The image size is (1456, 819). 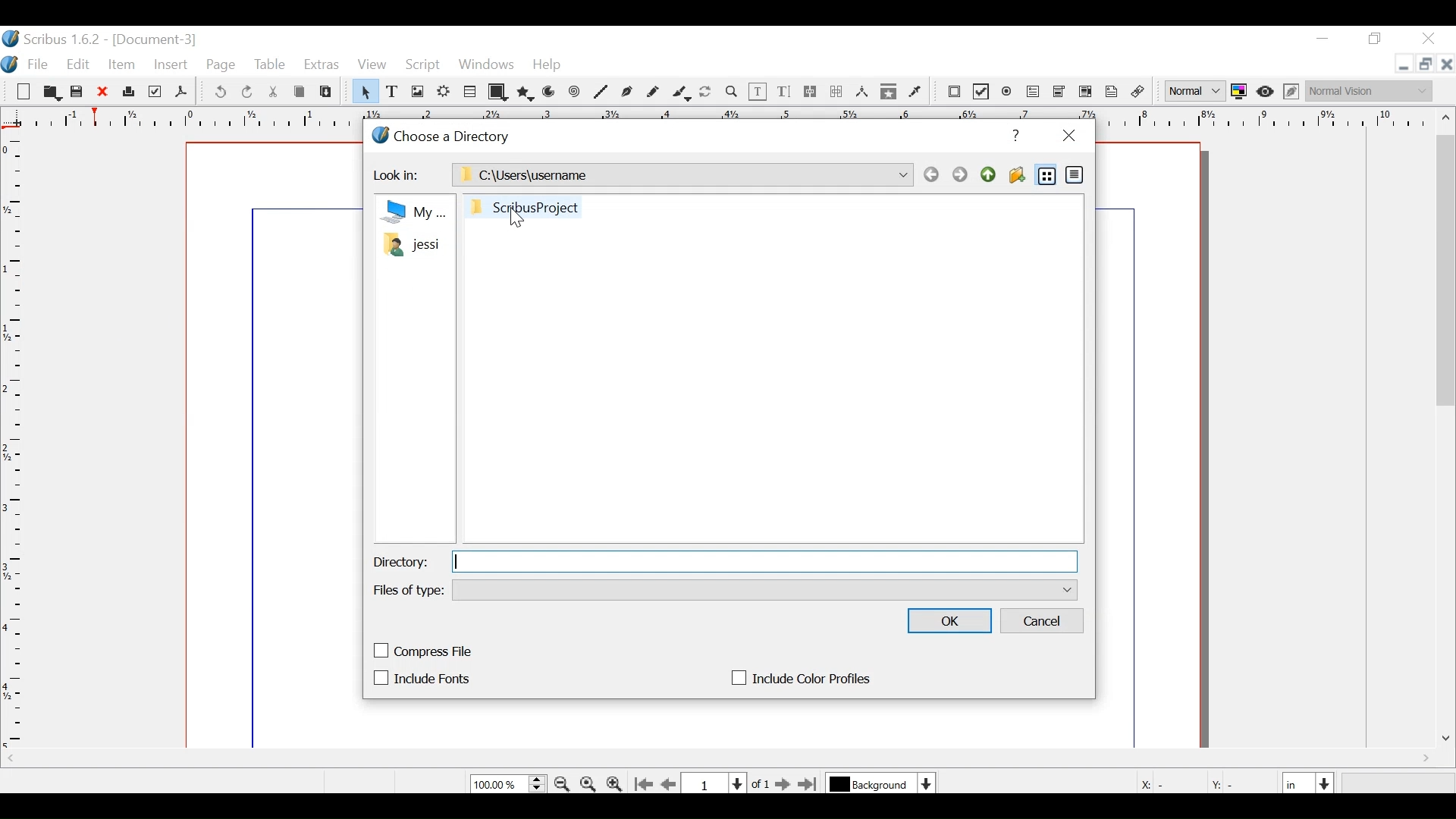 I want to click on Print, so click(x=128, y=93).